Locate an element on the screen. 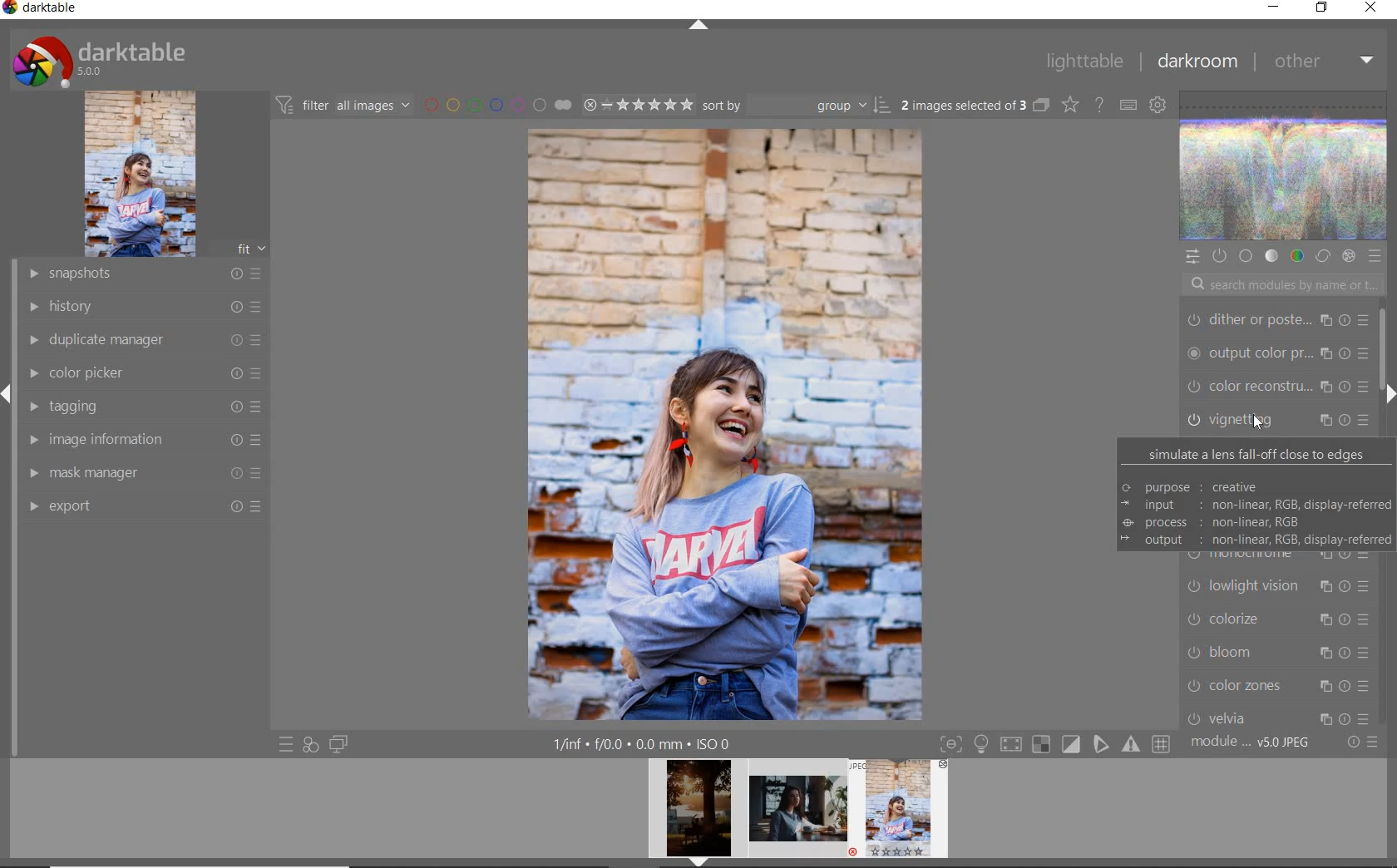  scrollbar is located at coordinates (1388, 353).